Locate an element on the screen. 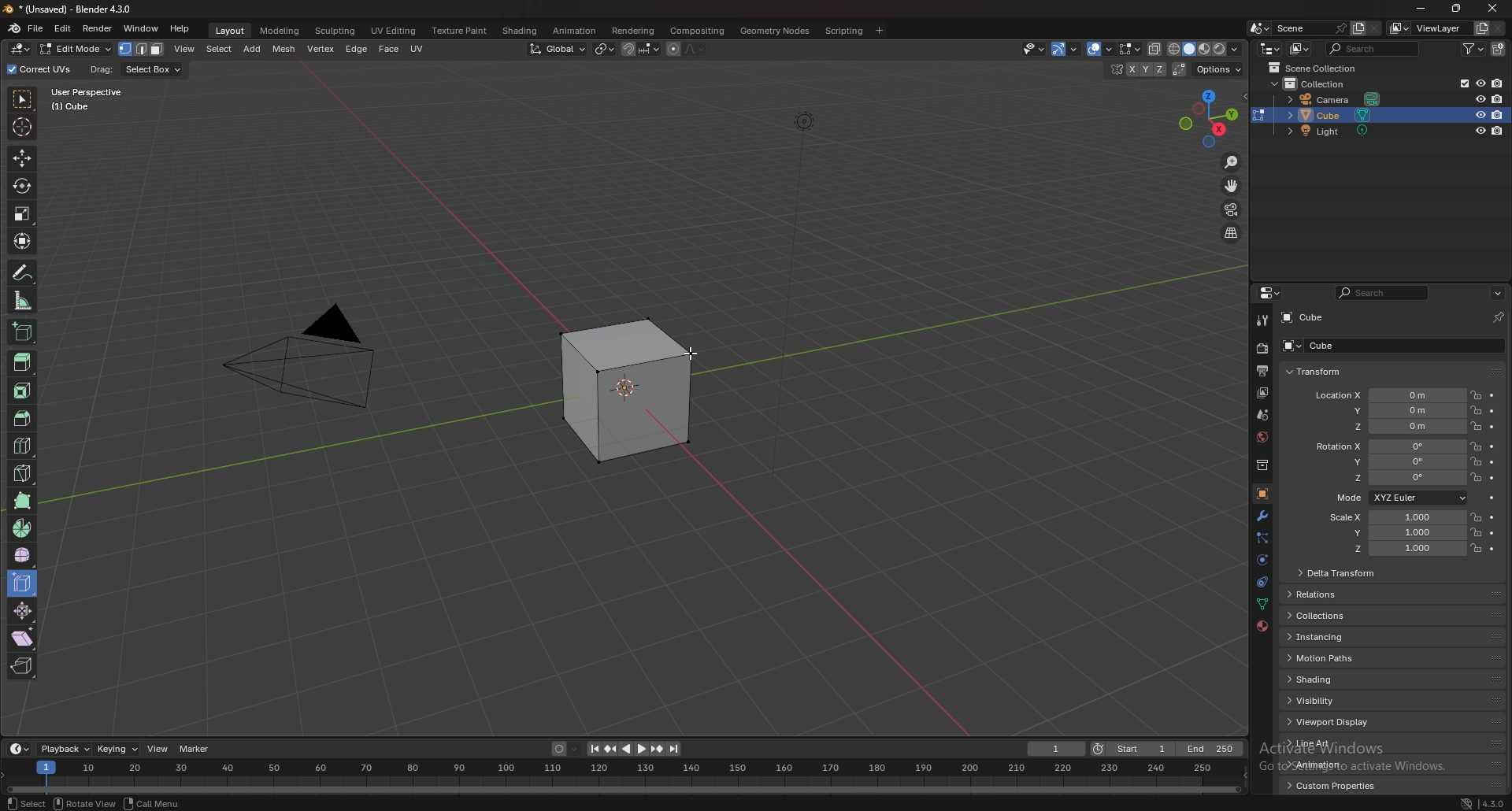 This screenshot has width=1512, height=811. line art is located at coordinates (1327, 744).